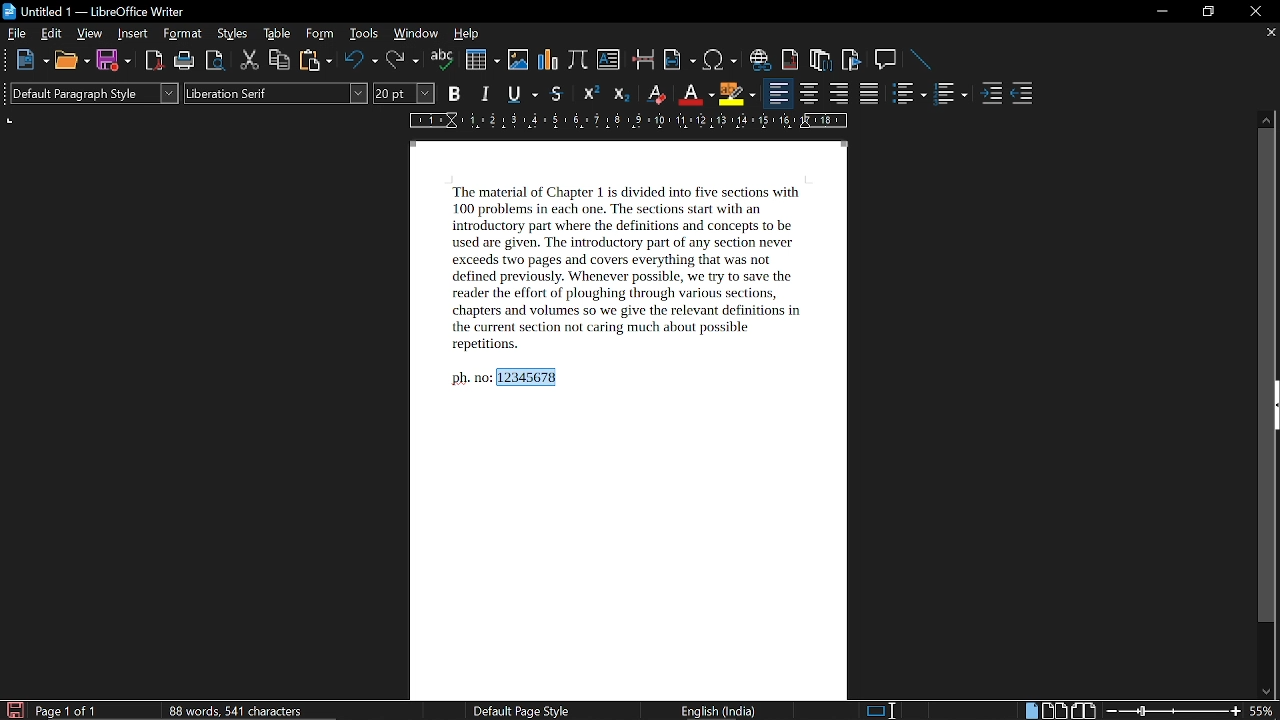 This screenshot has width=1280, height=720. What do you see at coordinates (992, 94) in the screenshot?
I see `increase indent` at bounding box center [992, 94].